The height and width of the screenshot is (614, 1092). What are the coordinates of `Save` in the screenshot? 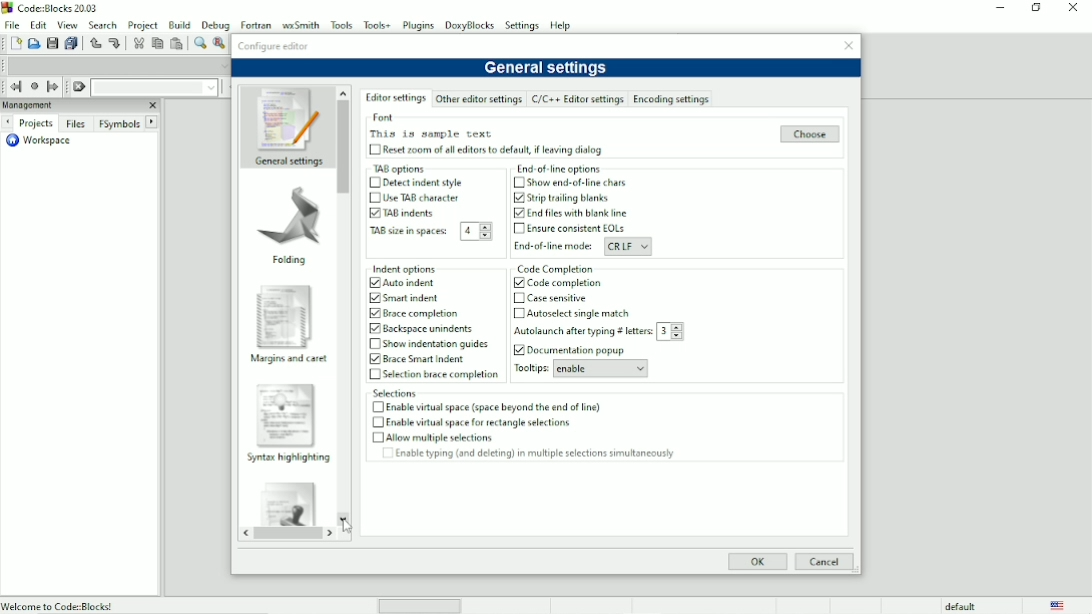 It's located at (51, 43).